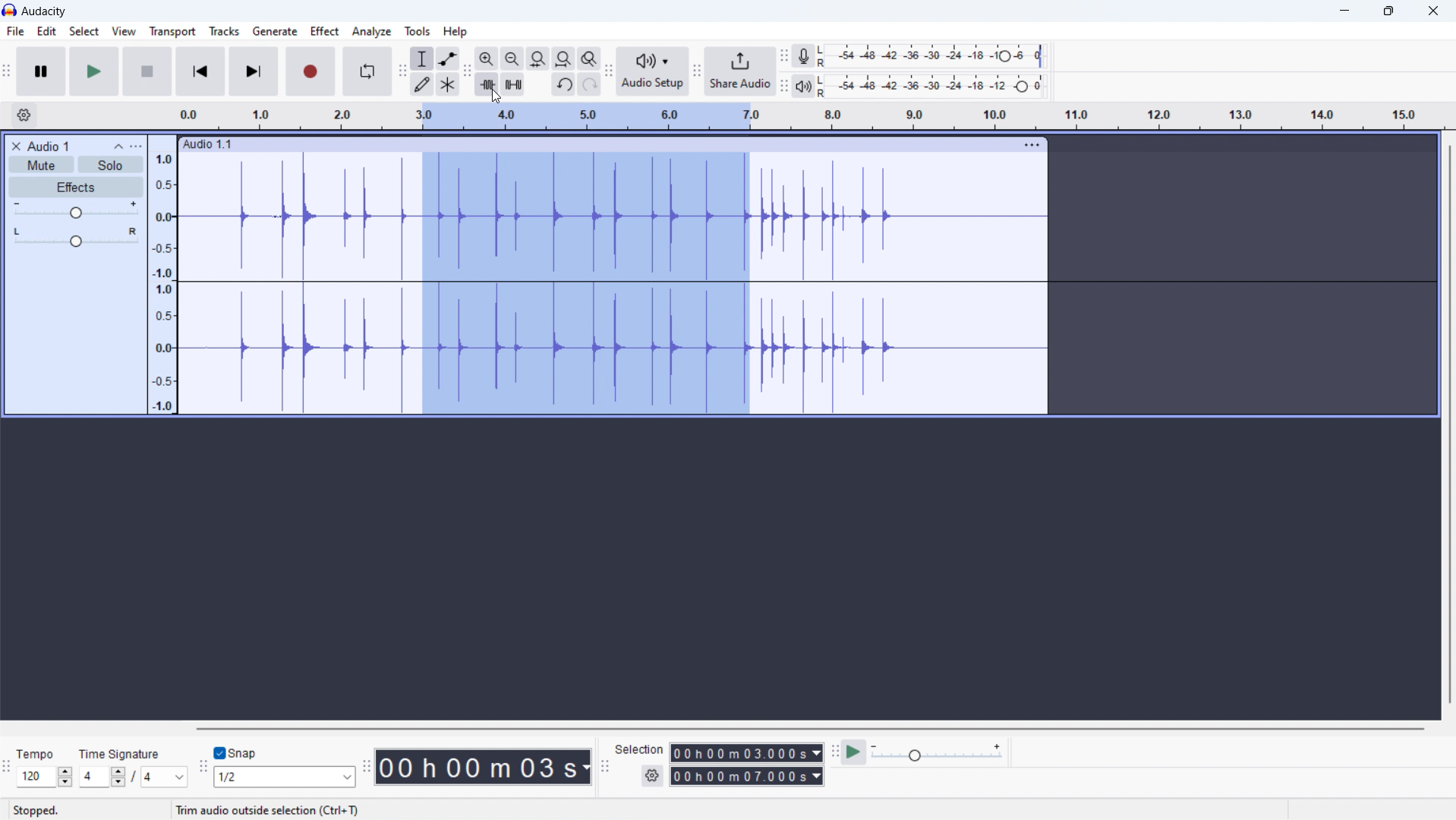 The height and width of the screenshot is (820, 1456). What do you see at coordinates (50, 146) in the screenshot?
I see `title` at bounding box center [50, 146].